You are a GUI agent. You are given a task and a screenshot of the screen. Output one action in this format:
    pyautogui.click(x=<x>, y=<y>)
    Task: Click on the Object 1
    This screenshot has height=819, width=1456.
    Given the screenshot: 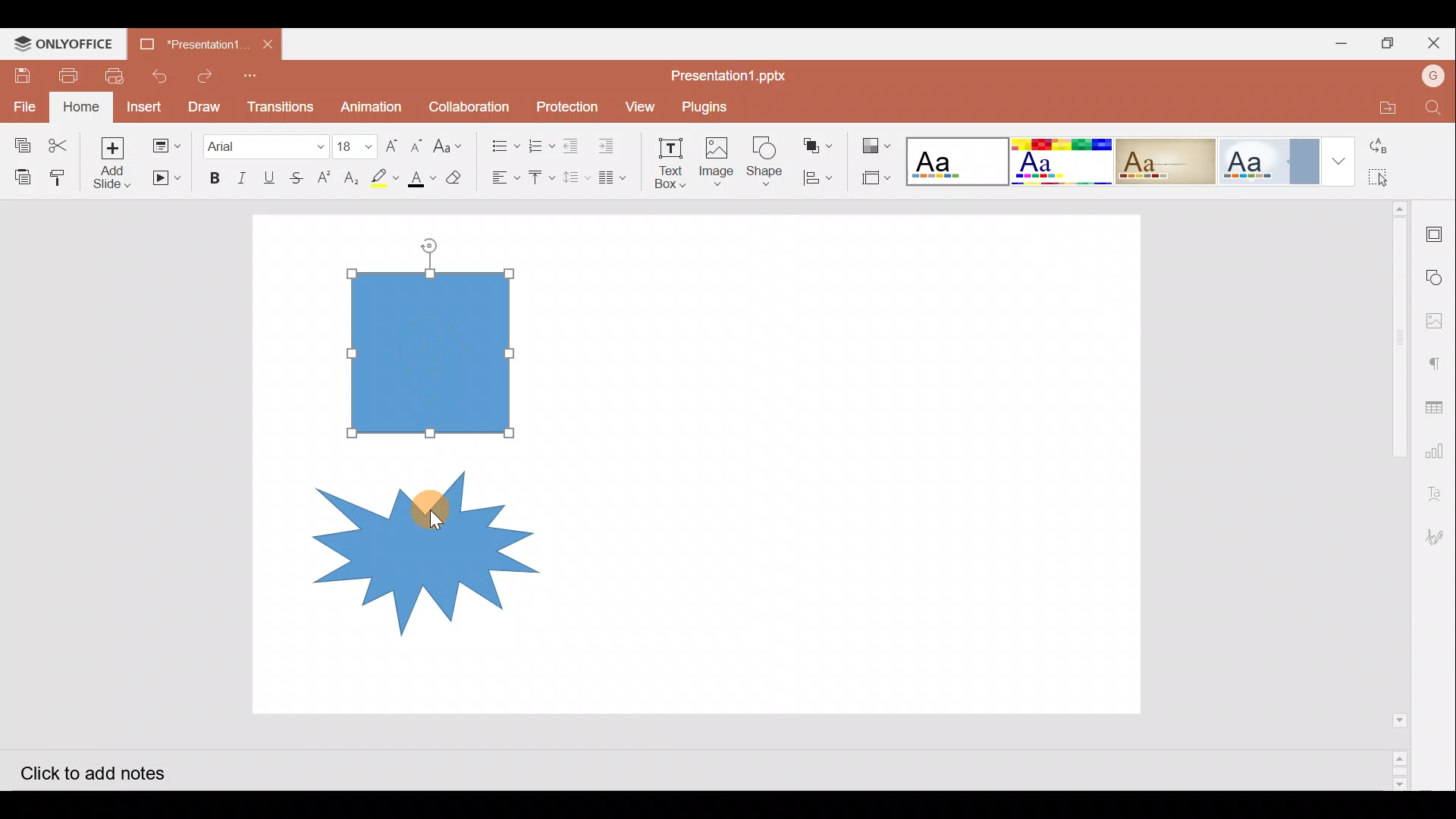 What is the action you would take?
    pyautogui.click(x=440, y=351)
    